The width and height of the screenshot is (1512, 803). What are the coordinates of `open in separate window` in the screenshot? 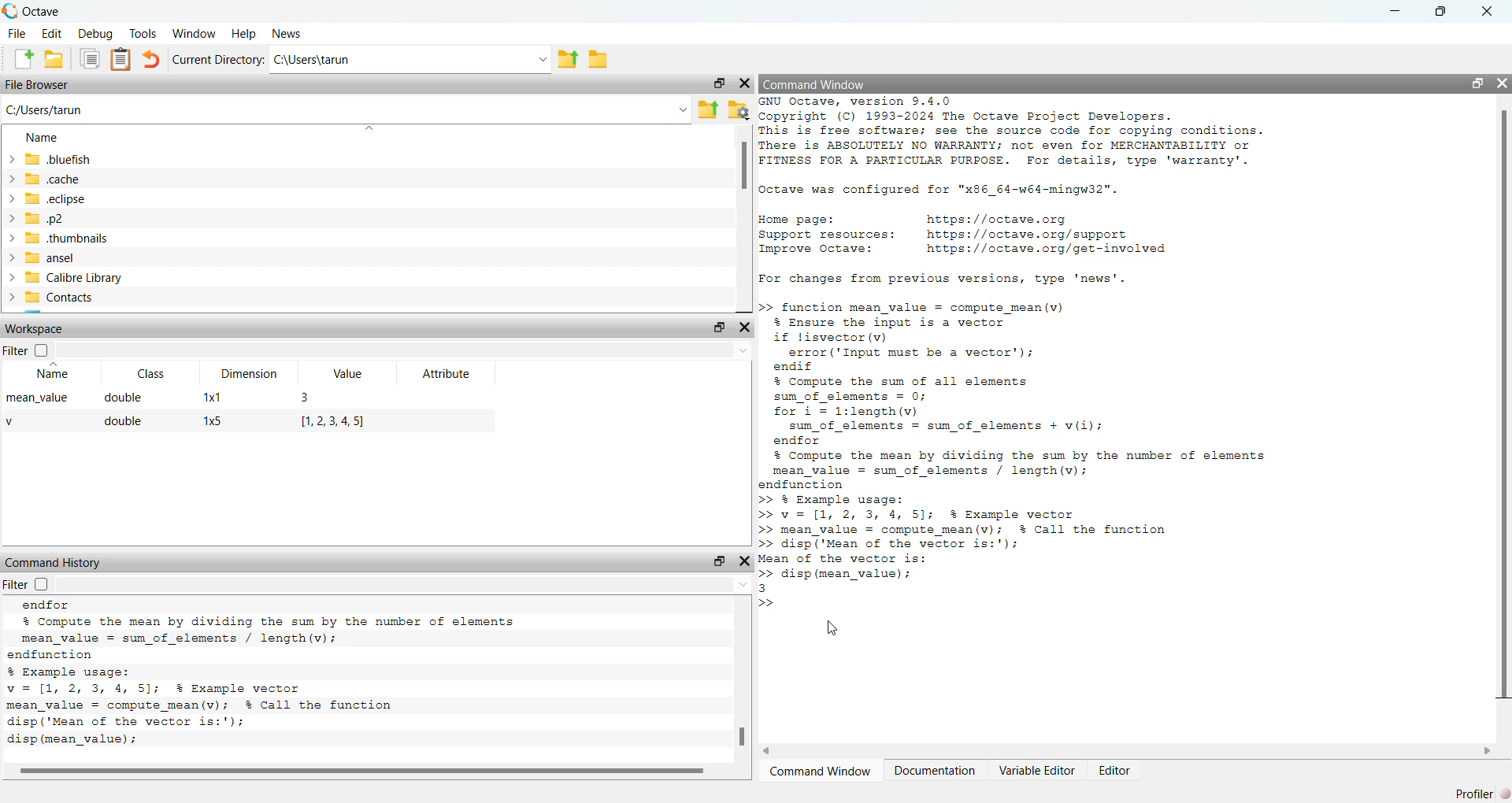 It's located at (720, 83).